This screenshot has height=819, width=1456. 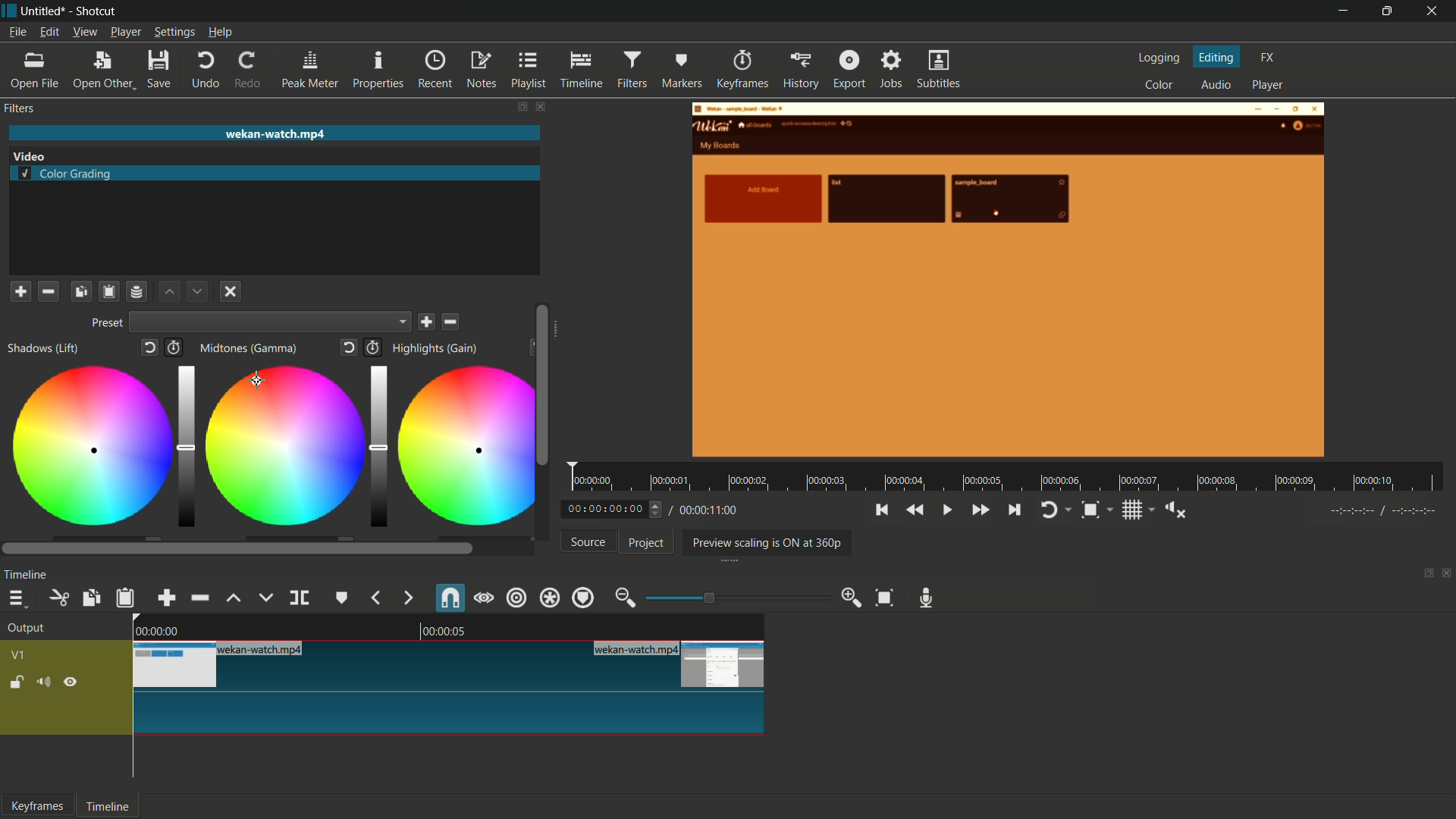 I want to click on audio, so click(x=1216, y=86).